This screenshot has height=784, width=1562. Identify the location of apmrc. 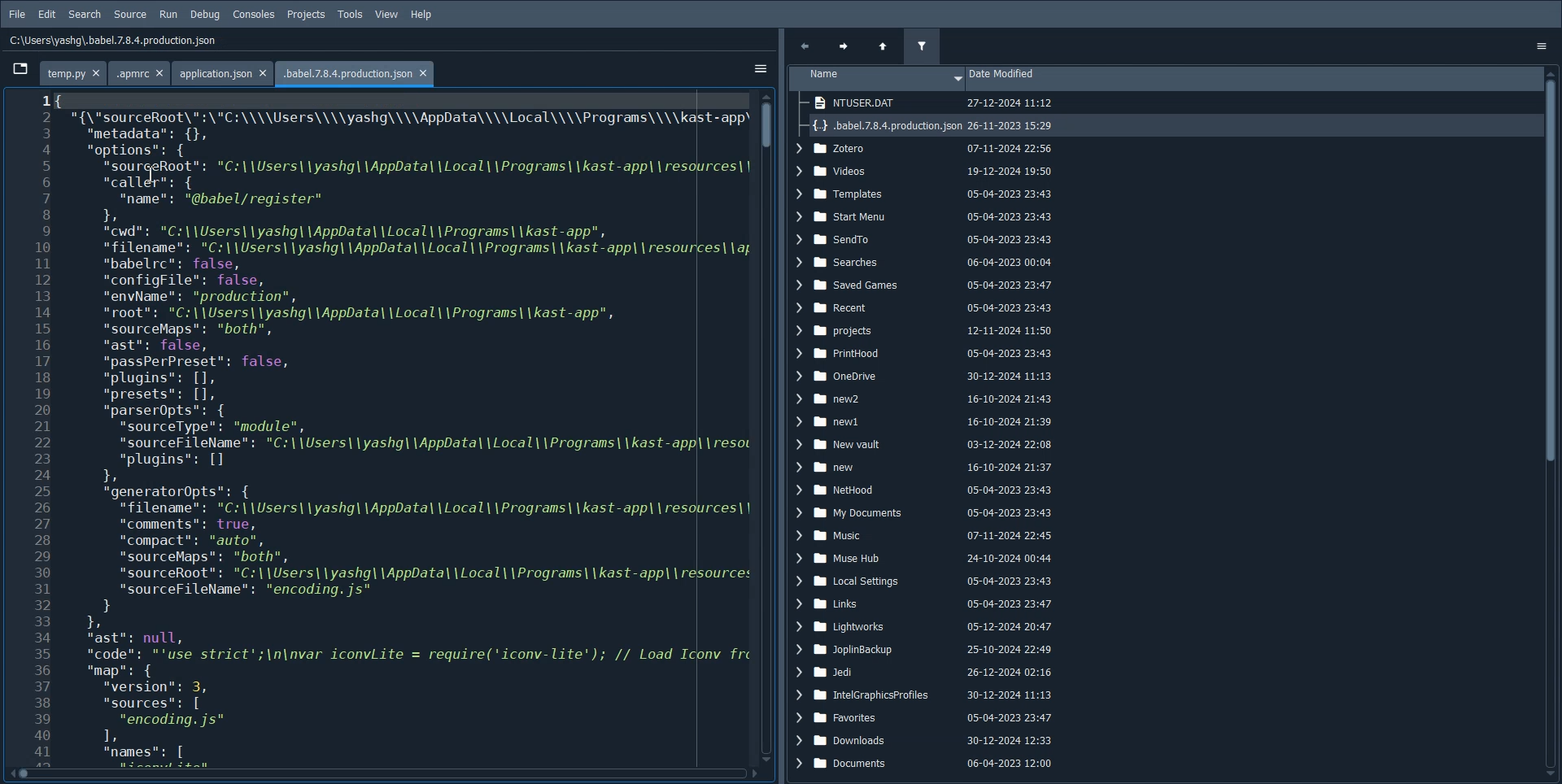
(141, 72).